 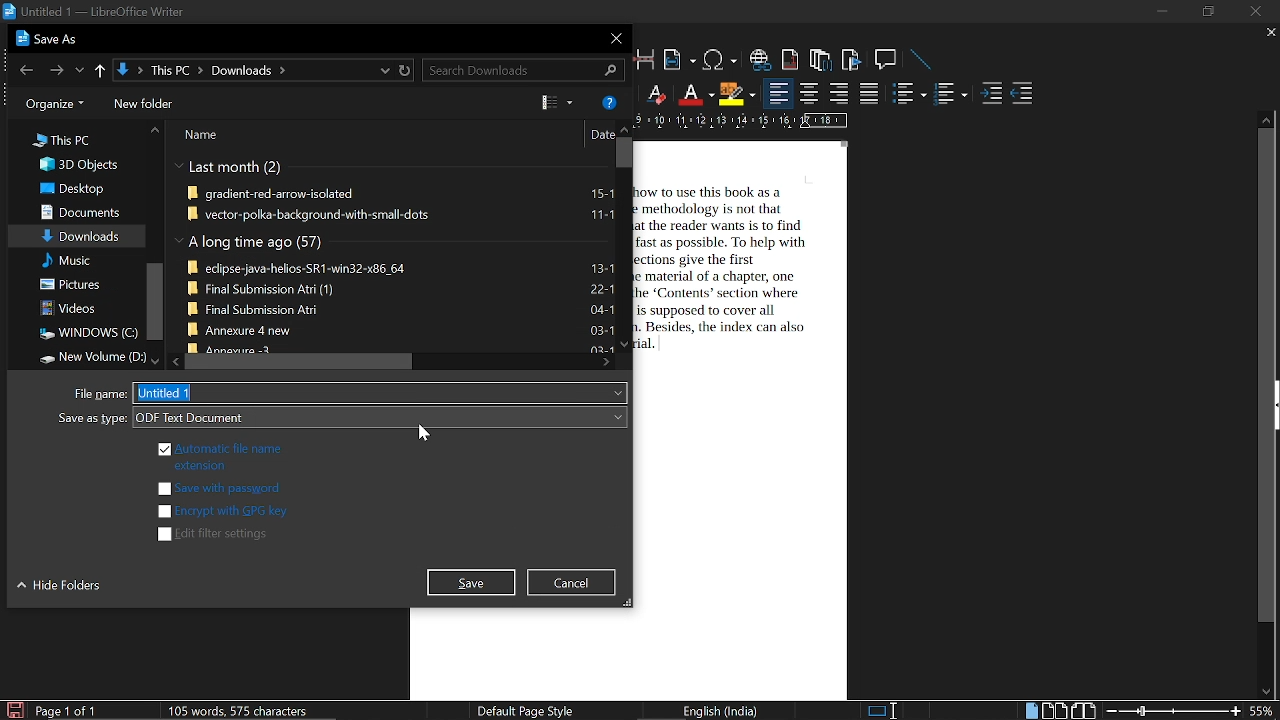 I want to click on move down, so click(x=1262, y=692).